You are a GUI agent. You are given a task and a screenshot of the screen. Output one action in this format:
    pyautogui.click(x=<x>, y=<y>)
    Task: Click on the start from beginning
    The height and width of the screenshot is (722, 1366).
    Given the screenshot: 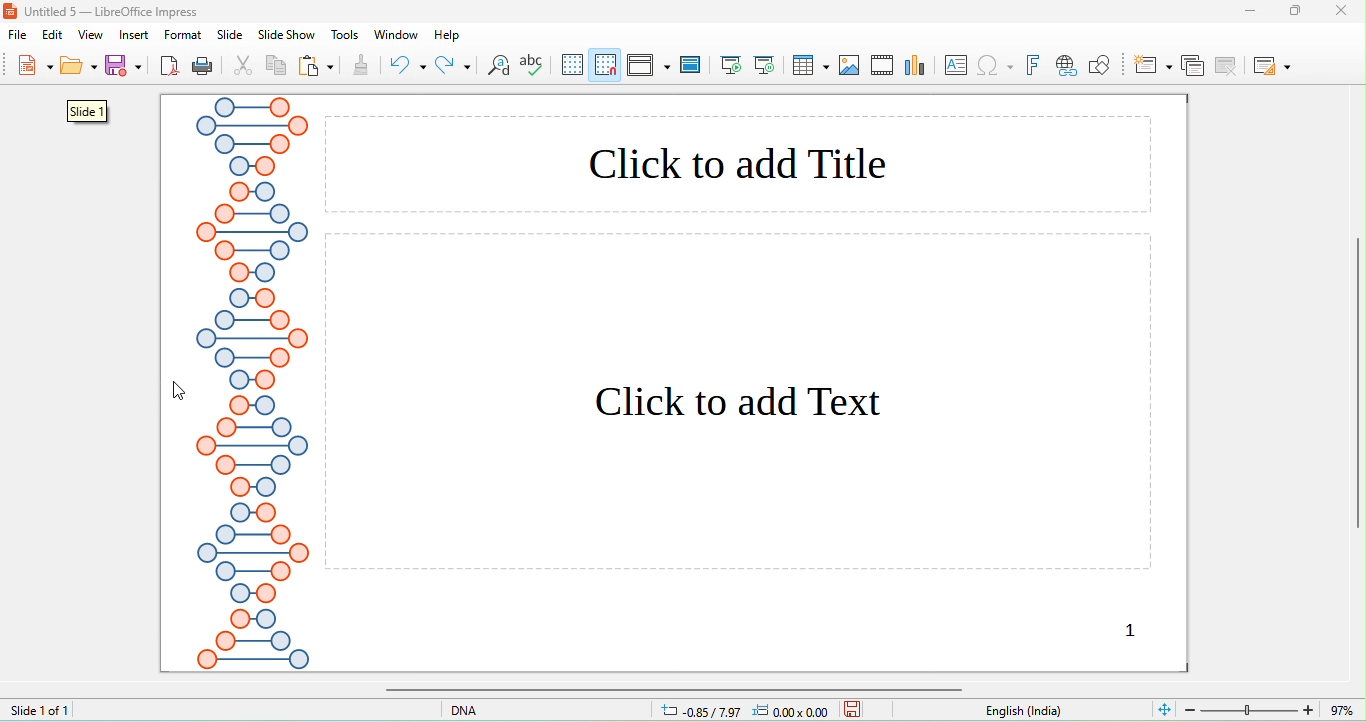 What is the action you would take?
    pyautogui.click(x=732, y=65)
    